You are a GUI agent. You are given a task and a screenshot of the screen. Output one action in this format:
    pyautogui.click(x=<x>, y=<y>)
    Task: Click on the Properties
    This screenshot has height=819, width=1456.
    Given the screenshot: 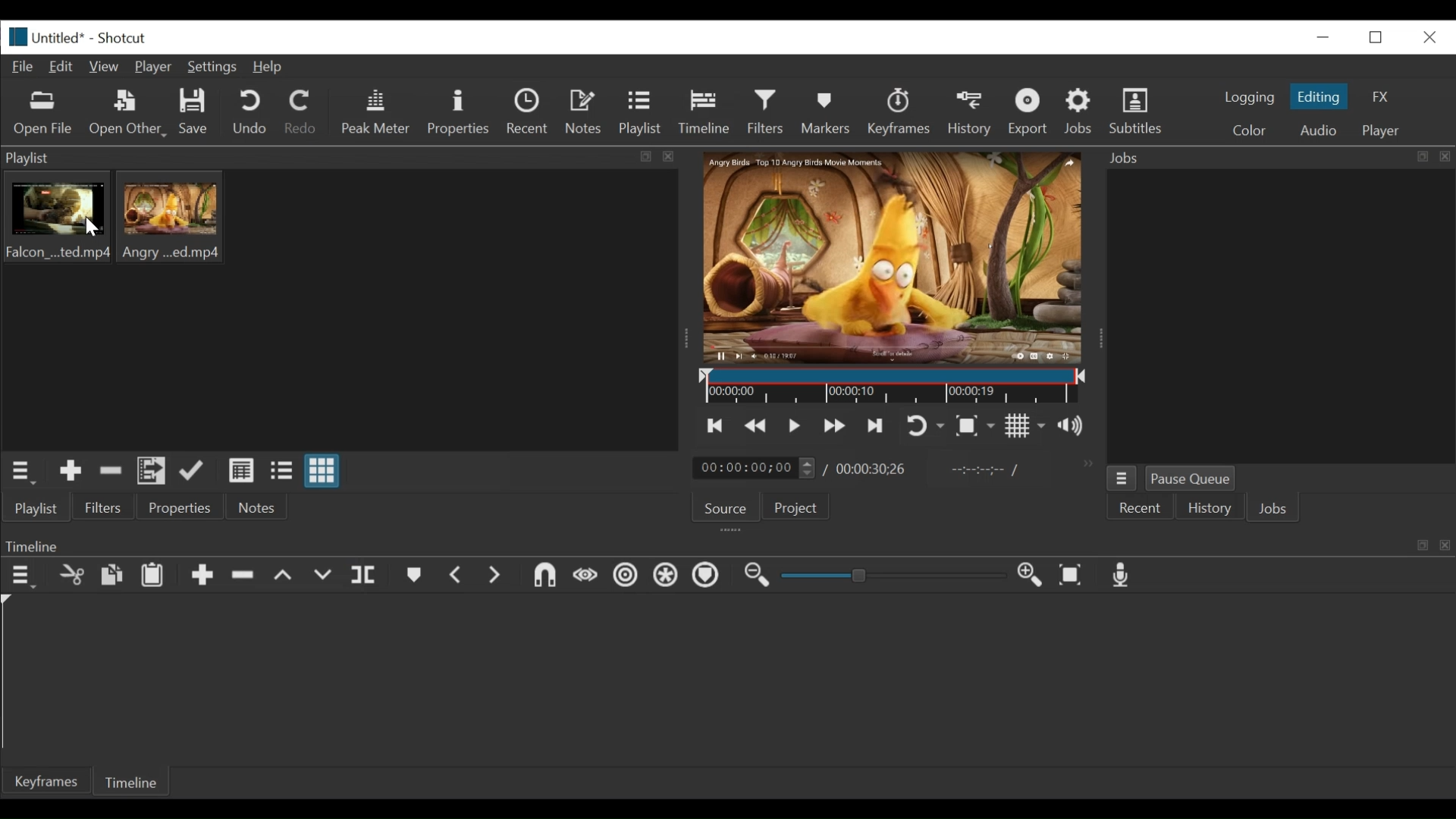 What is the action you would take?
    pyautogui.click(x=460, y=112)
    